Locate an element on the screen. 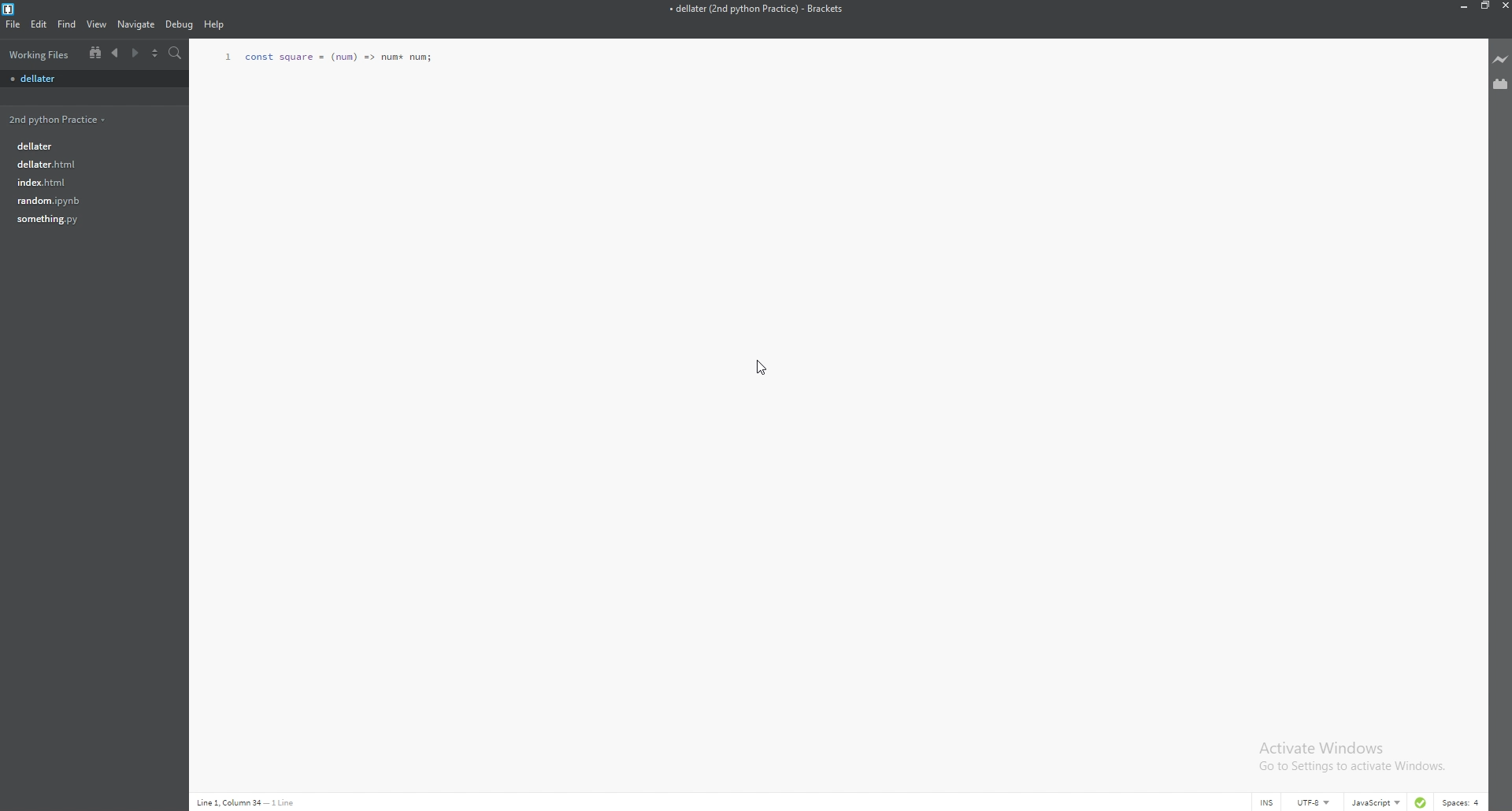 The image size is (1512, 811). Cursor is located at coordinates (764, 371).